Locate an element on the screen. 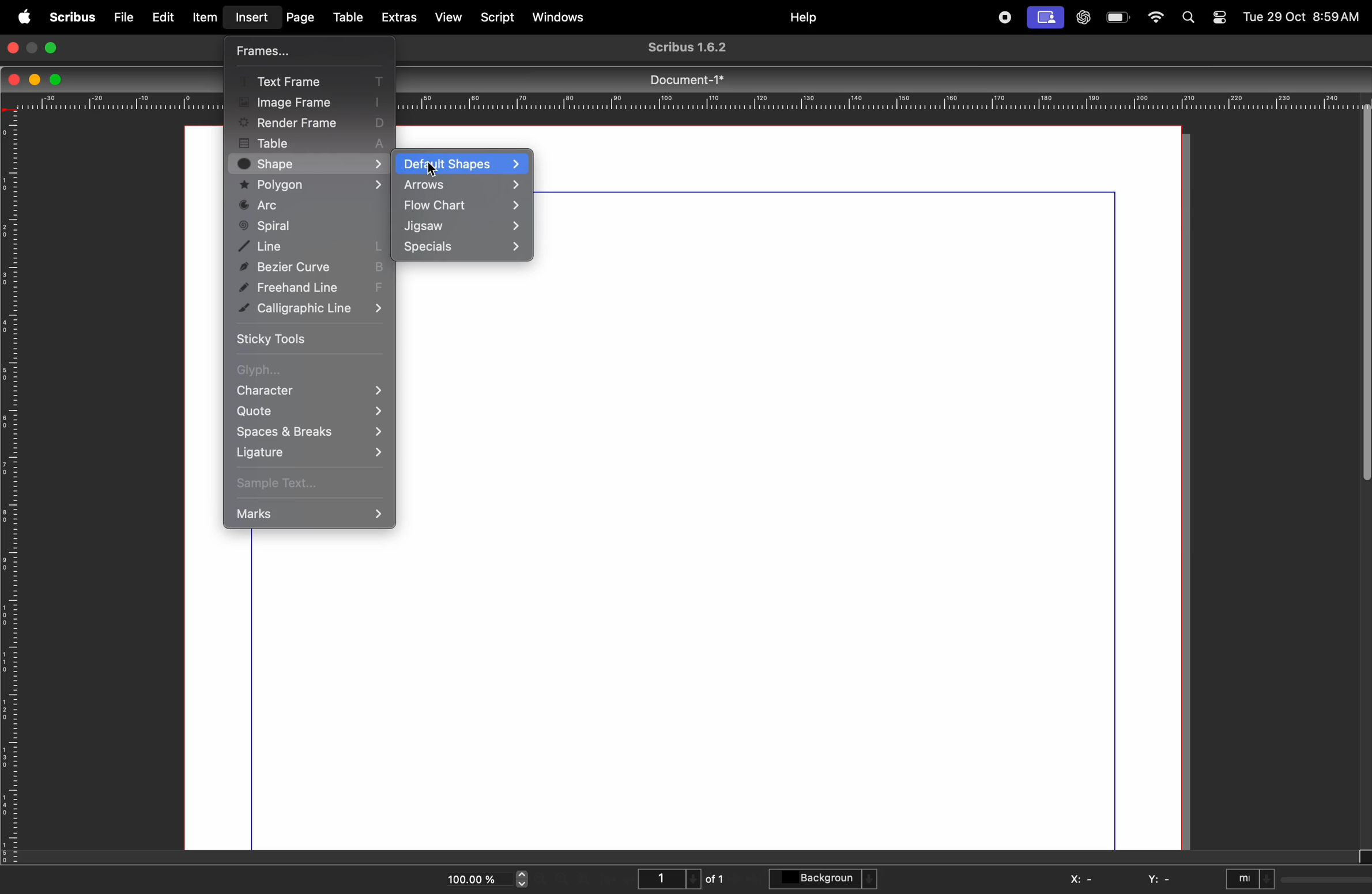 The height and width of the screenshot is (894, 1372). item is located at coordinates (205, 17).